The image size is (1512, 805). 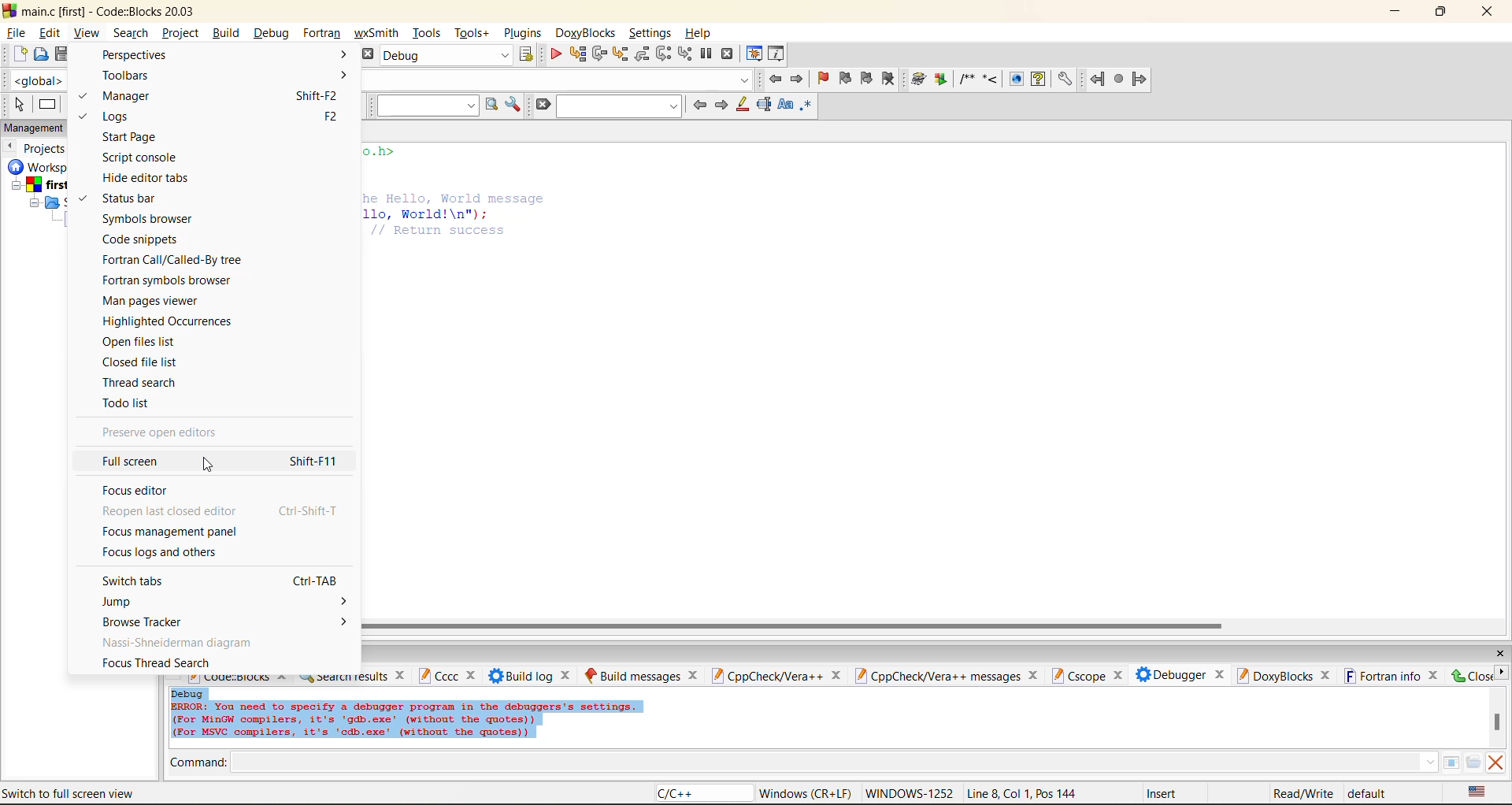 I want to click on horizontal scroll bar, so click(x=799, y=621).